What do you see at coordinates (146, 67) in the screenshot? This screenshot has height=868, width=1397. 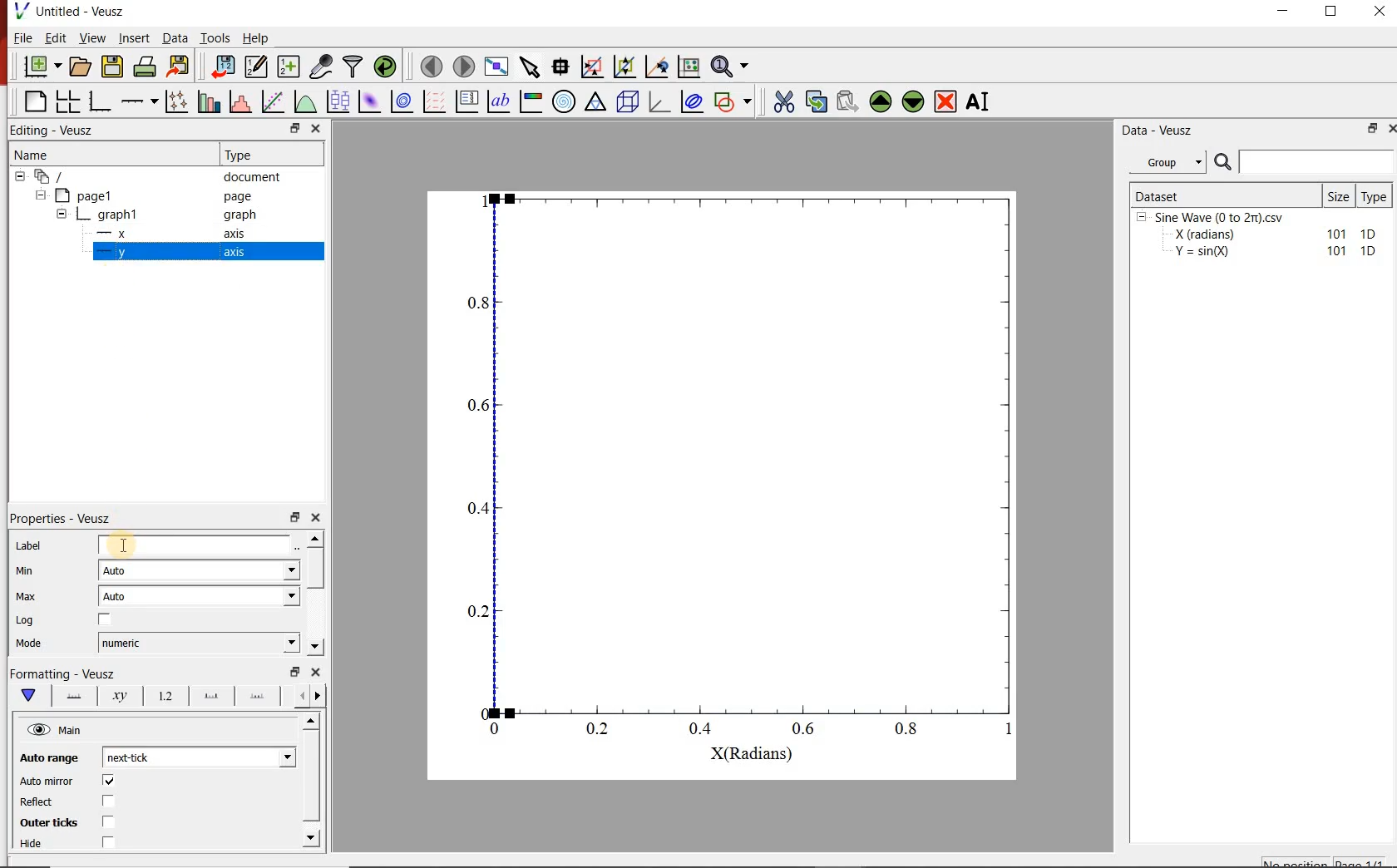 I see `print` at bounding box center [146, 67].